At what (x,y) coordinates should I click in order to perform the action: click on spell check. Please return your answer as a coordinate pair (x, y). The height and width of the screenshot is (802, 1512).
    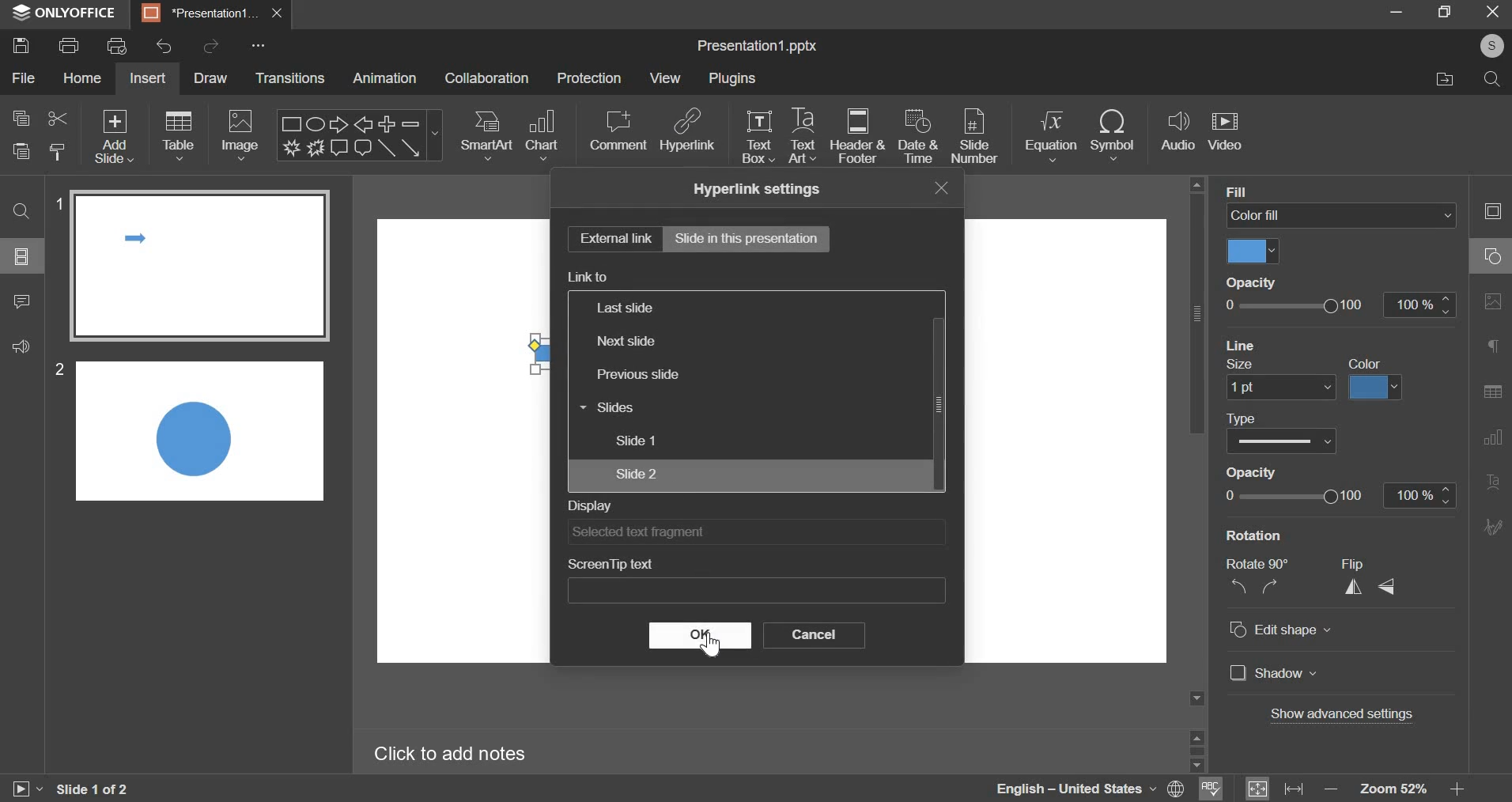
    Looking at the image, I should click on (1211, 789).